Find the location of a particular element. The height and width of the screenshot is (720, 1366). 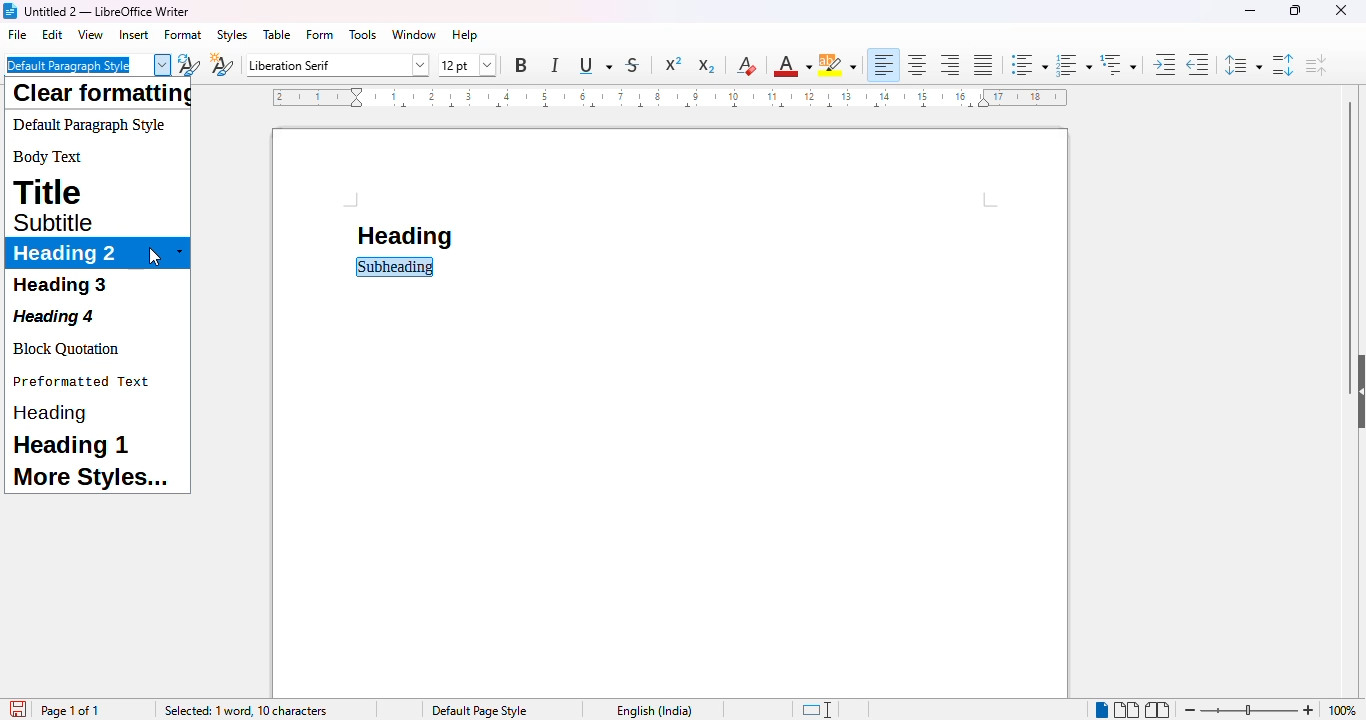

edit is located at coordinates (53, 34).